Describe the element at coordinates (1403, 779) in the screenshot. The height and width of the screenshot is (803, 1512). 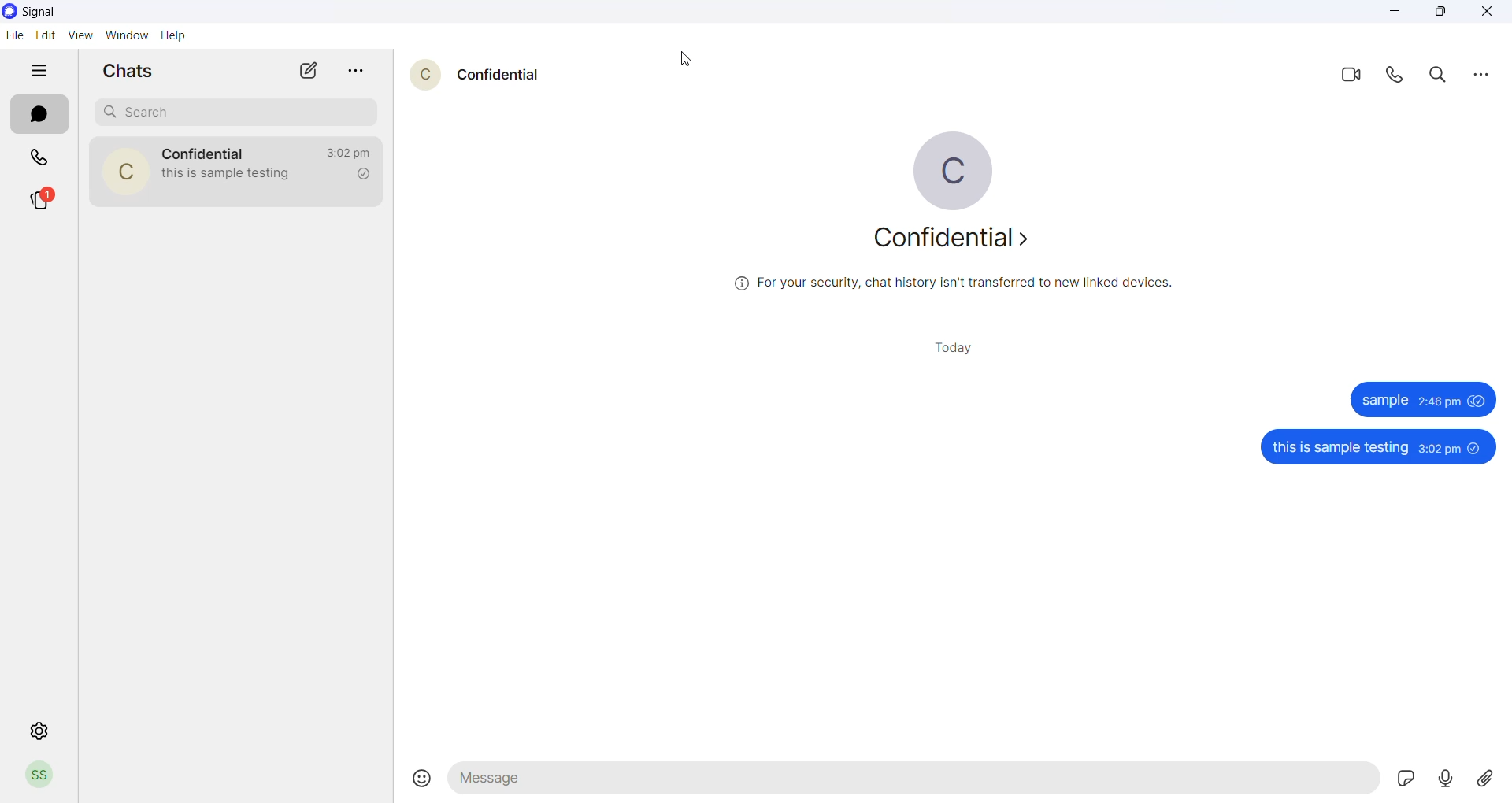
I see `sticker` at that location.